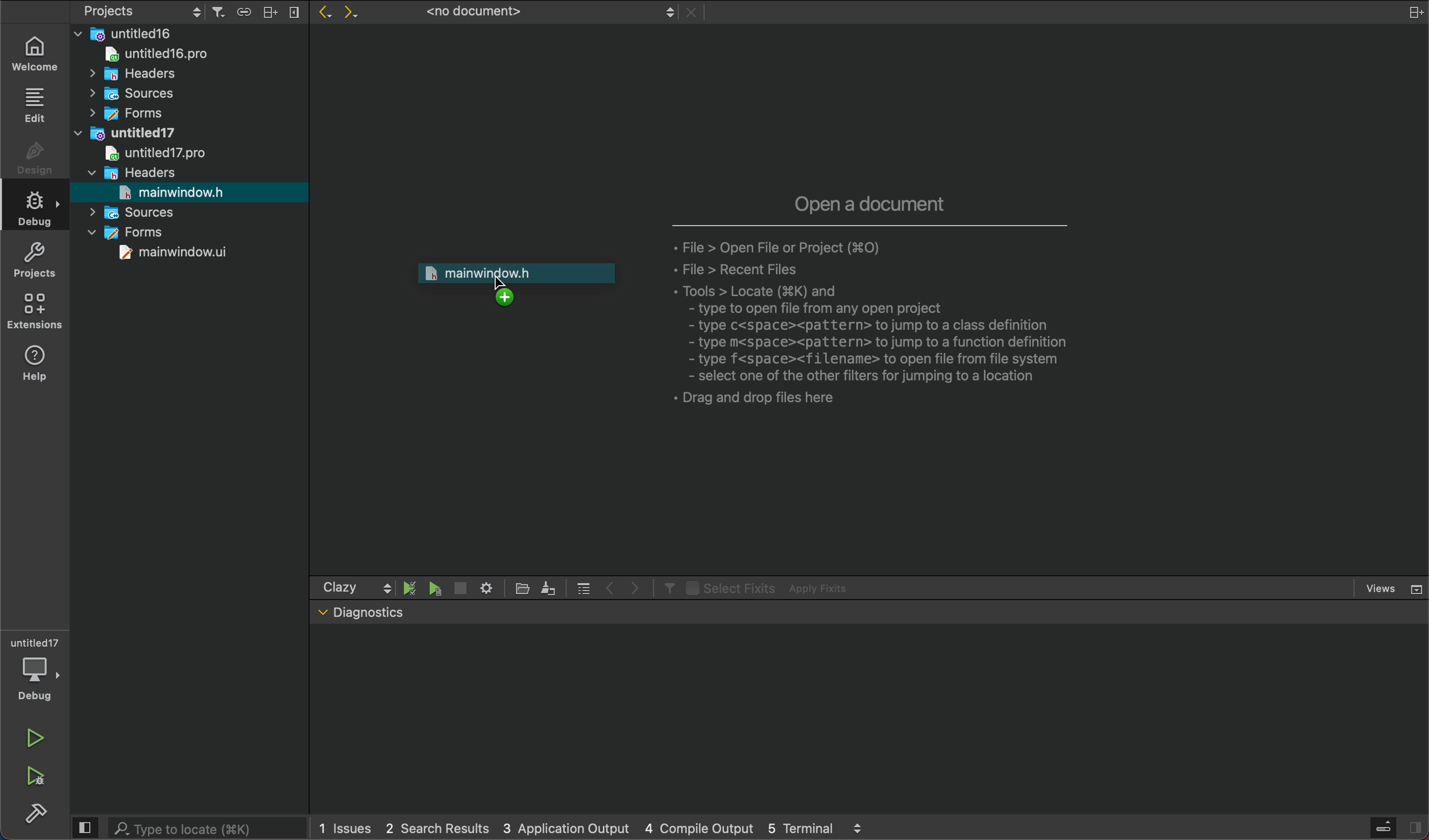  Describe the element at coordinates (1407, 11) in the screenshot. I see `split tab` at that location.